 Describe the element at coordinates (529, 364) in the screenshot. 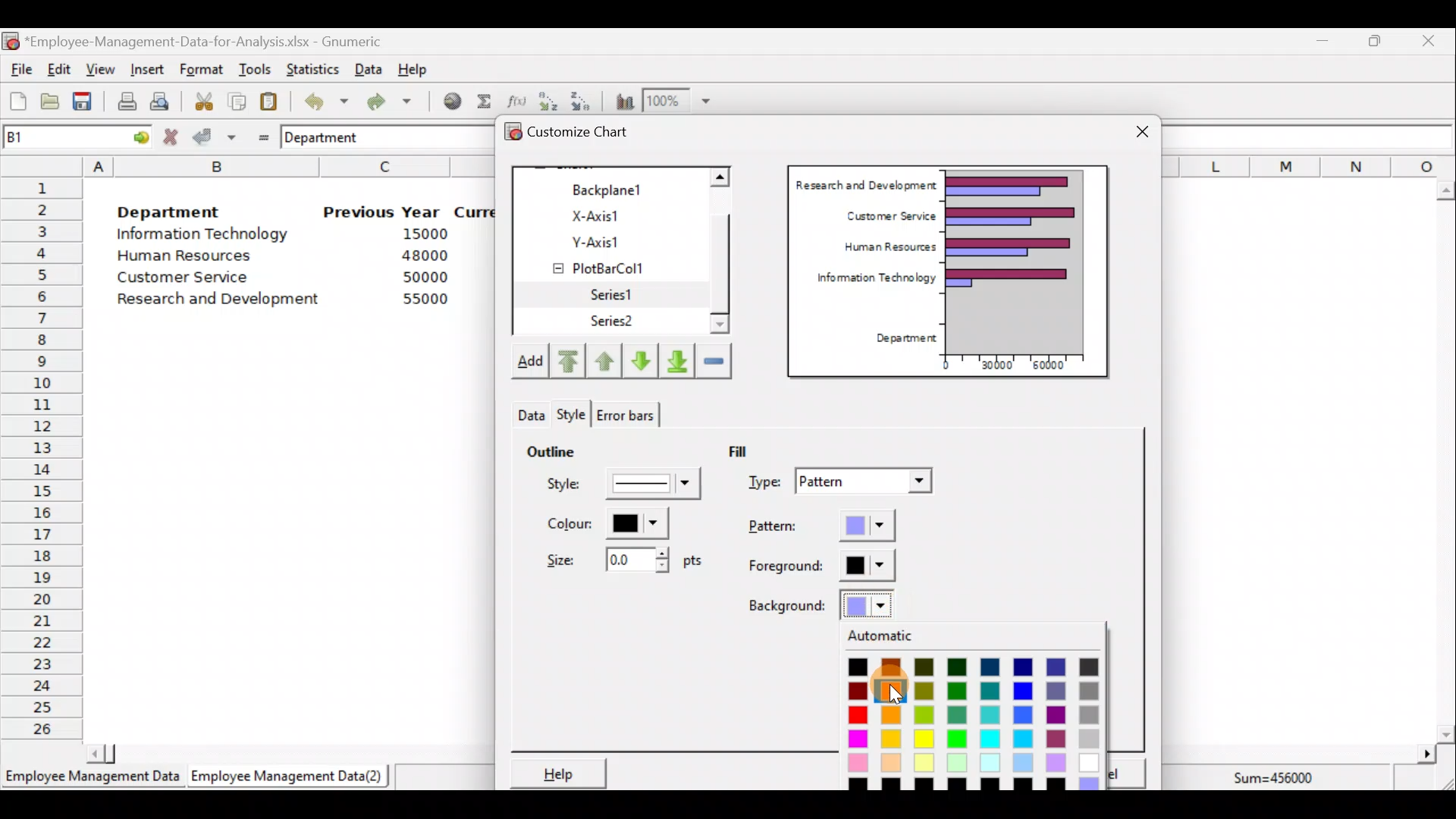

I see `Add` at that location.